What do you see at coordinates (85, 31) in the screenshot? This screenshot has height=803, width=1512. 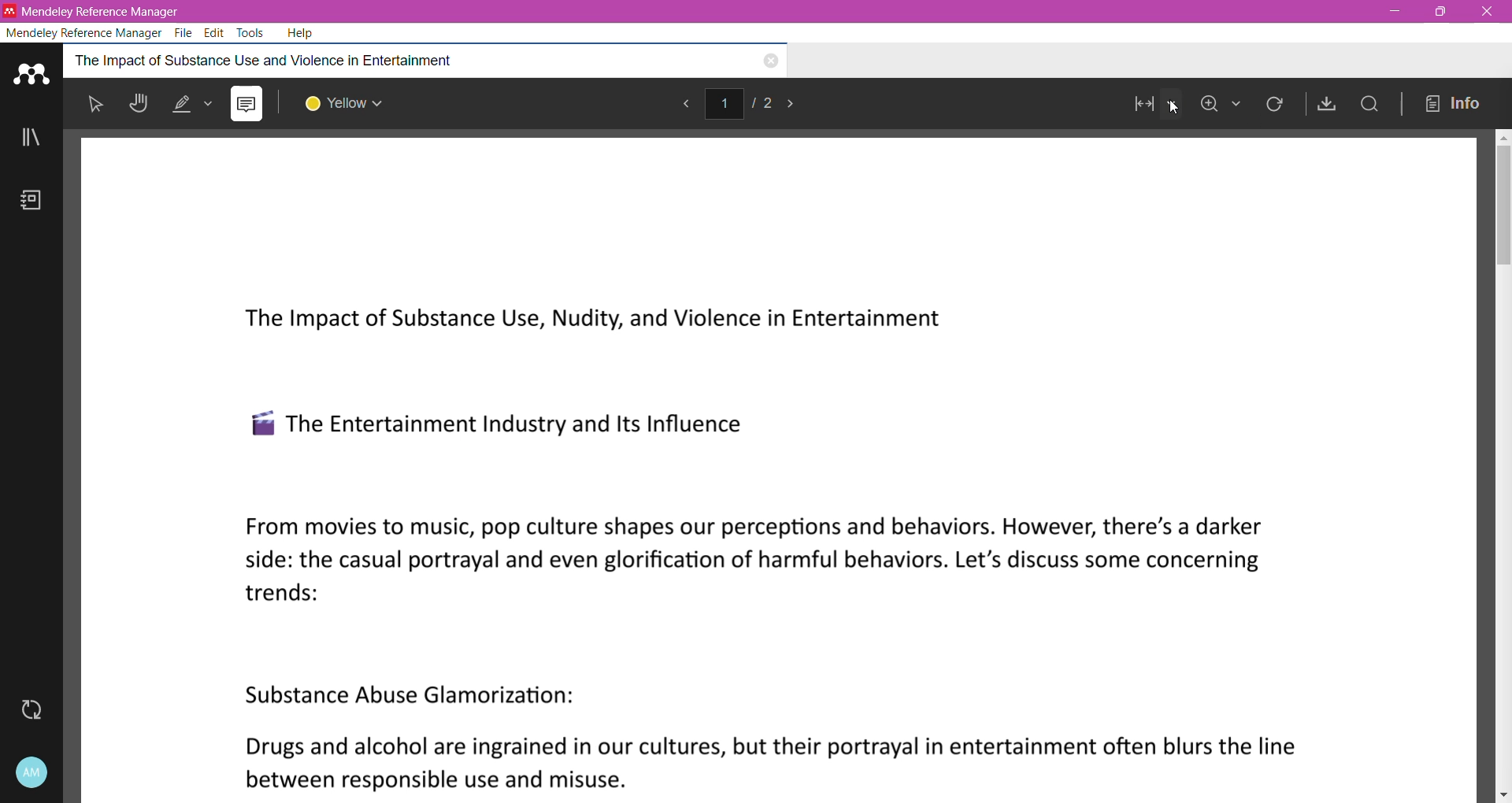 I see `Mendeley Reference Manager` at bounding box center [85, 31].